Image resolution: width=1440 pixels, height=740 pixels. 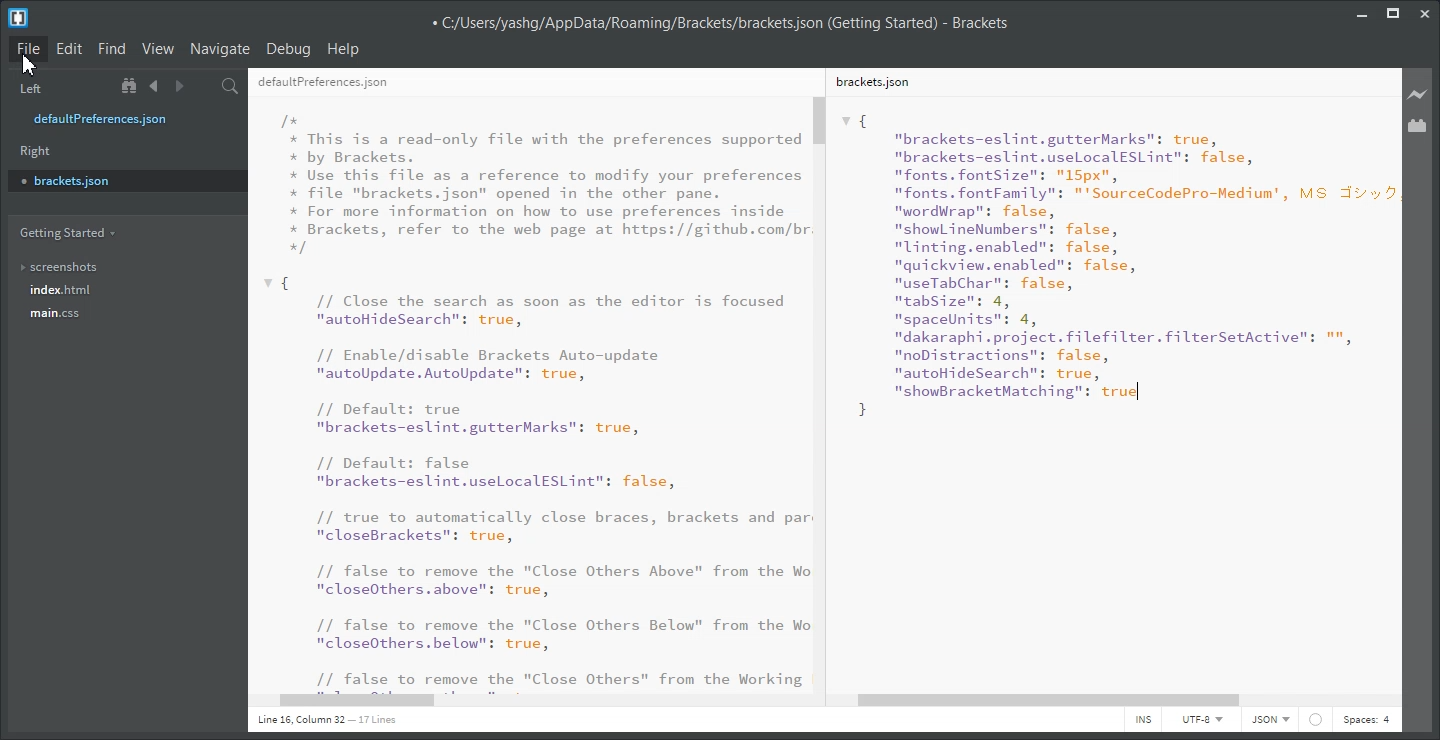 What do you see at coordinates (231, 86) in the screenshot?
I see `Find in files` at bounding box center [231, 86].